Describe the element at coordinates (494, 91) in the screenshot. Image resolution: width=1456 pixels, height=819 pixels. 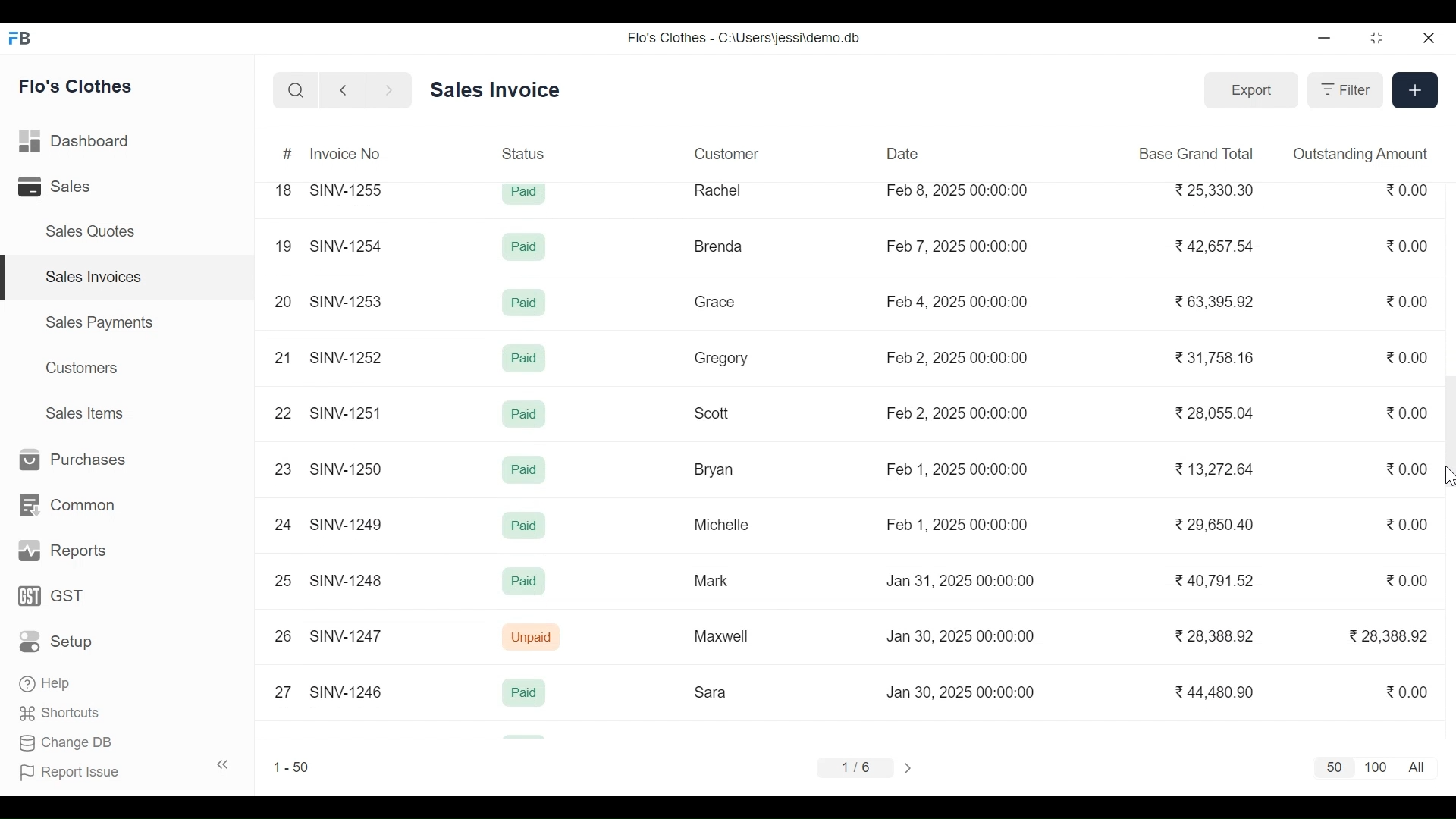
I see `Sales Invoice` at that location.